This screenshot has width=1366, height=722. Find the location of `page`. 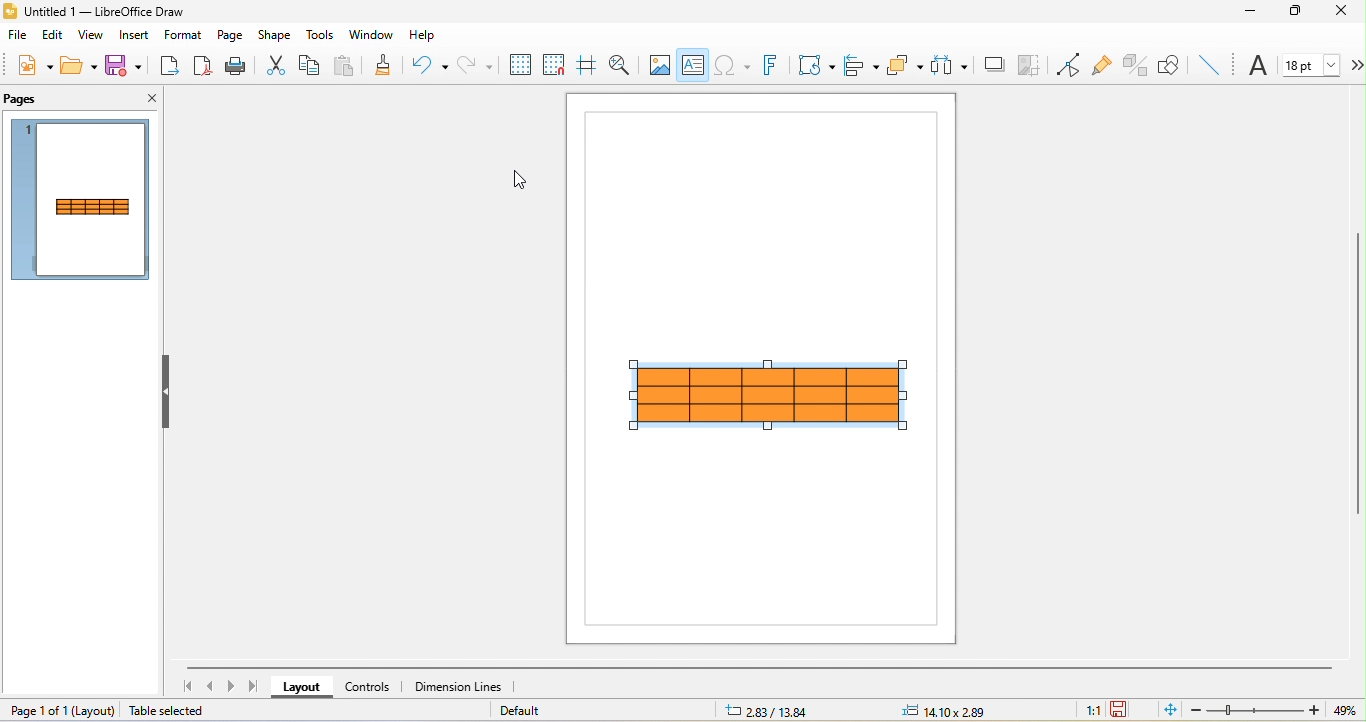

page is located at coordinates (231, 37).